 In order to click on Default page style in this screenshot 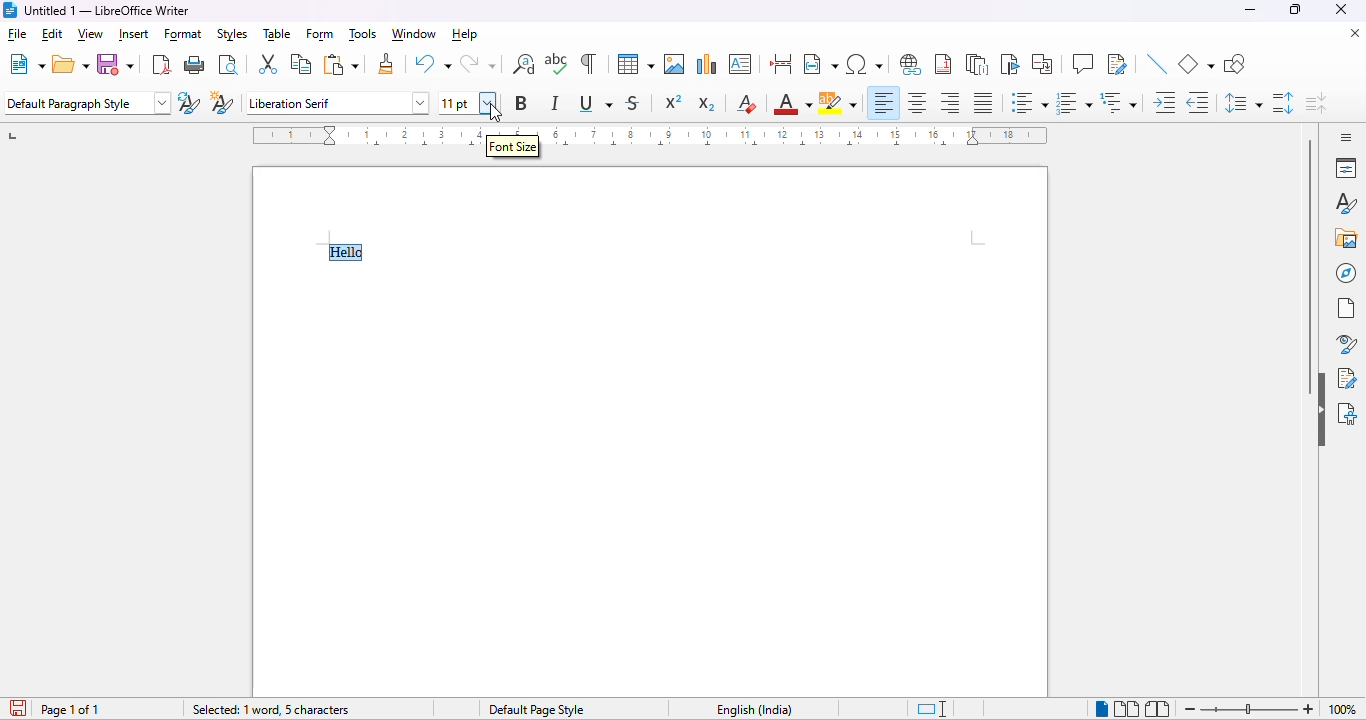, I will do `click(536, 710)`.